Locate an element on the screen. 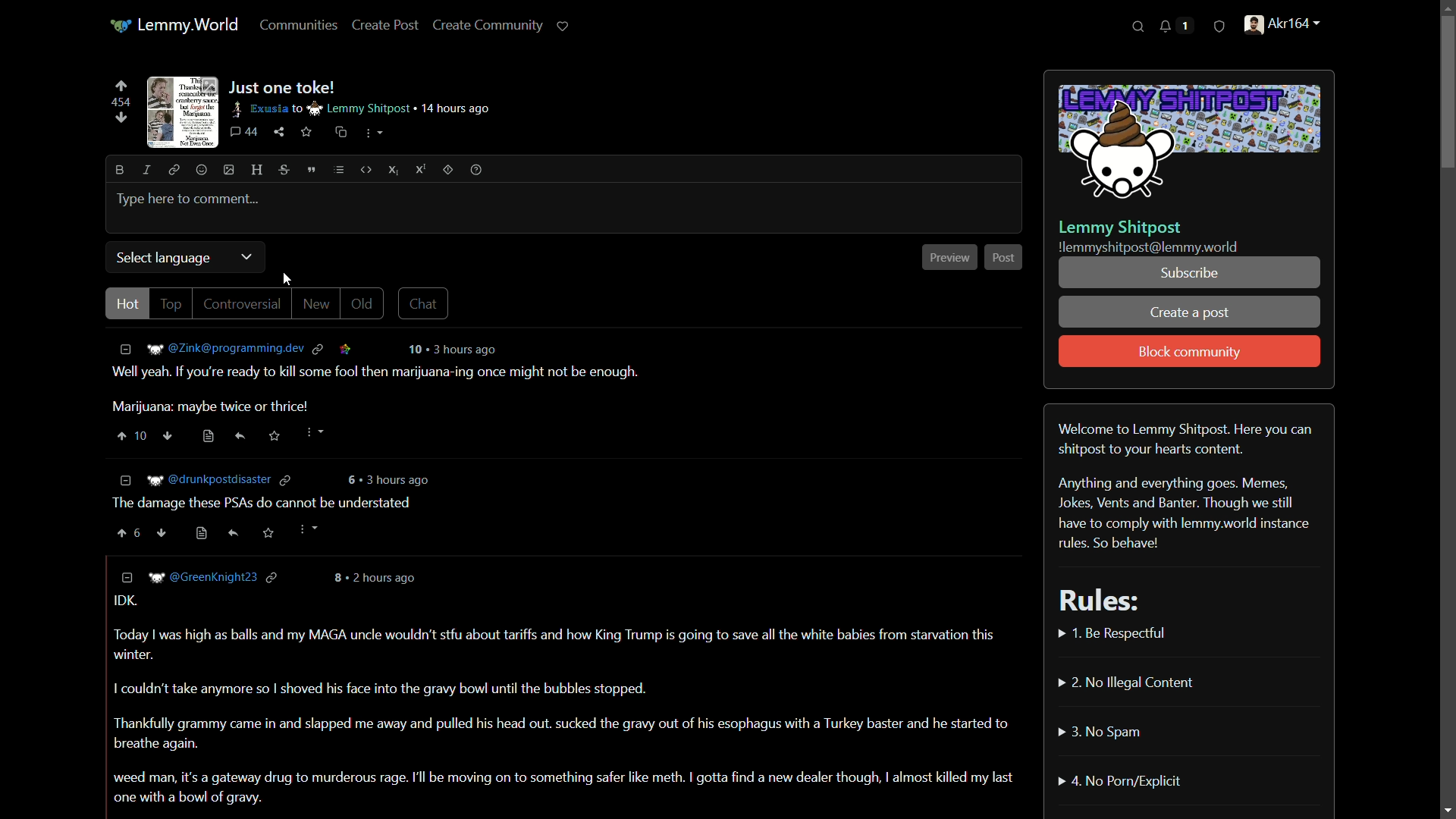 The height and width of the screenshot is (819, 1456). subscribe is located at coordinates (1191, 272).